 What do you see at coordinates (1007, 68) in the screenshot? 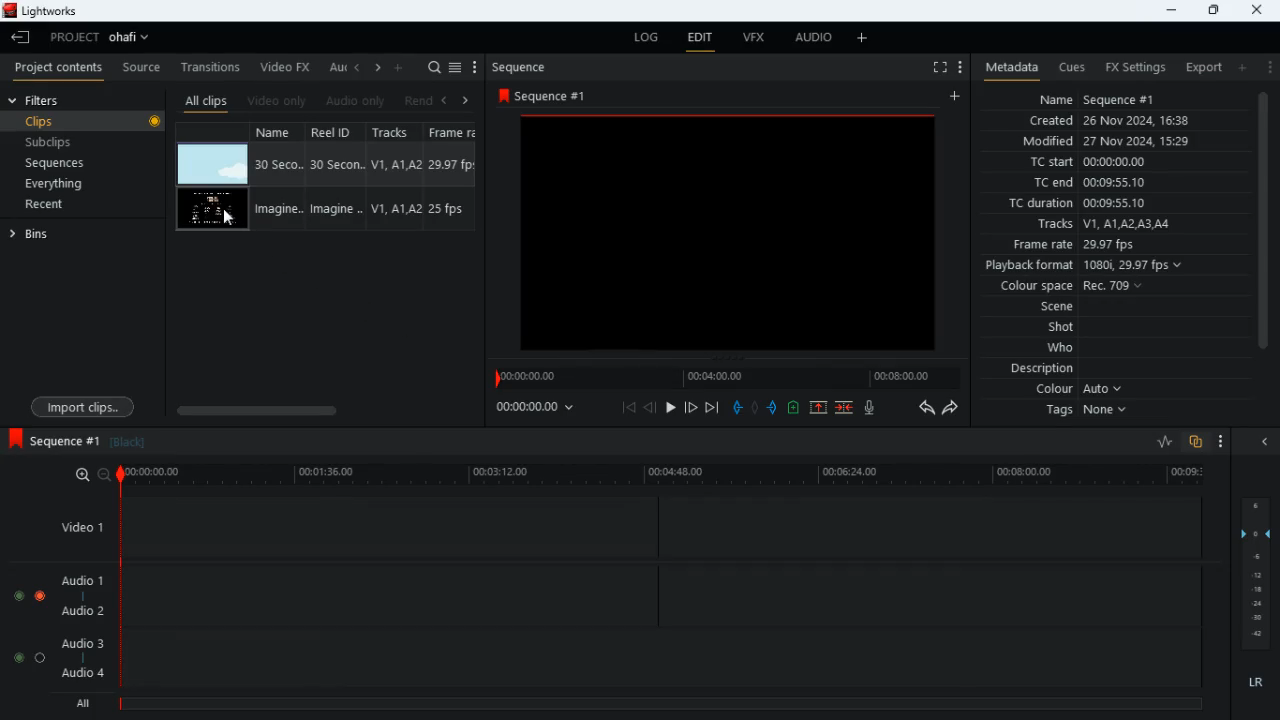
I see `metadata` at bounding box center [1007, 68].